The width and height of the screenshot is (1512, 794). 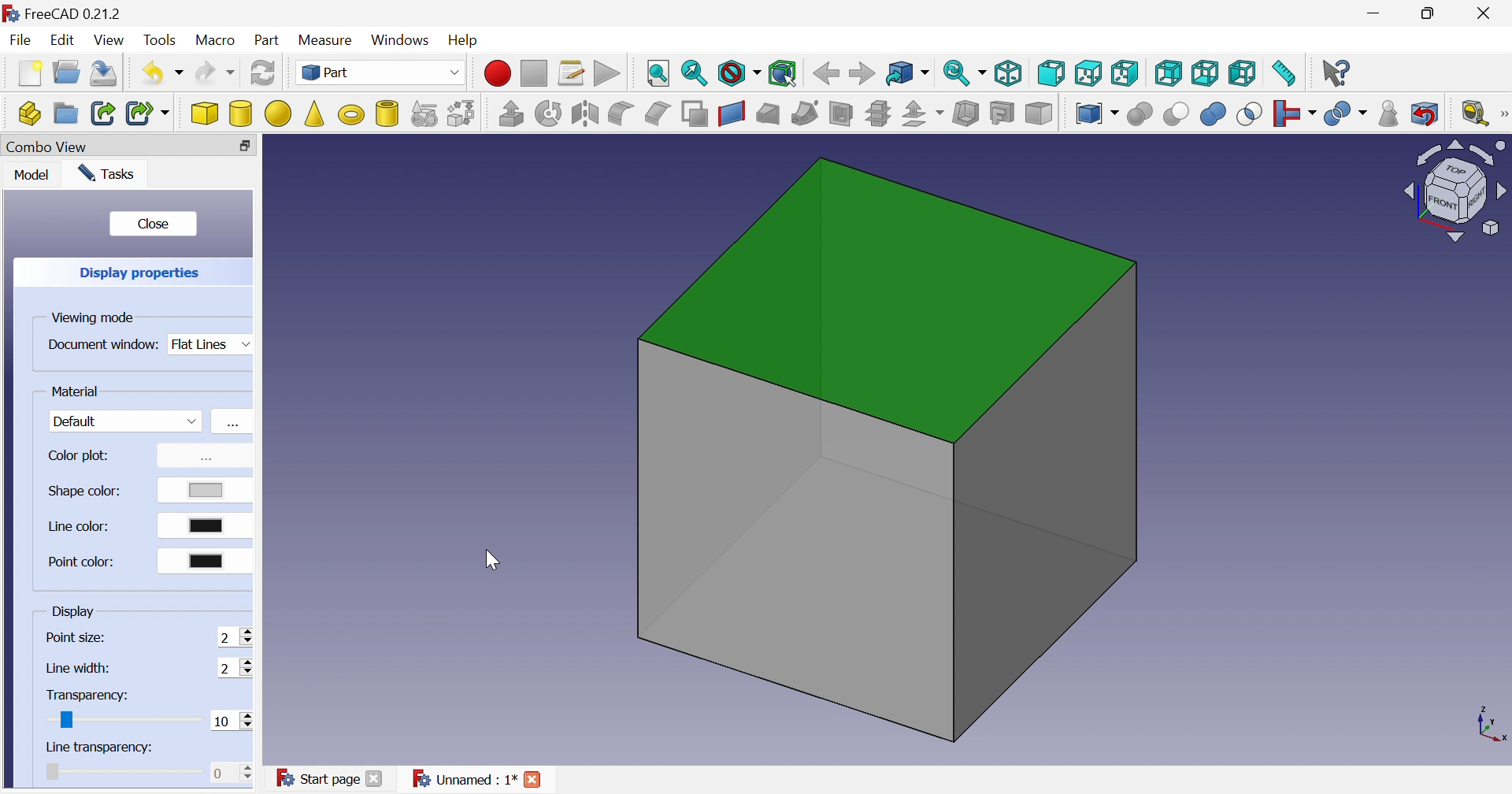 What do you see at coordinates (1338, 75) in the screenshot?
I see `What's this?` at bounding box center [1338, 75].